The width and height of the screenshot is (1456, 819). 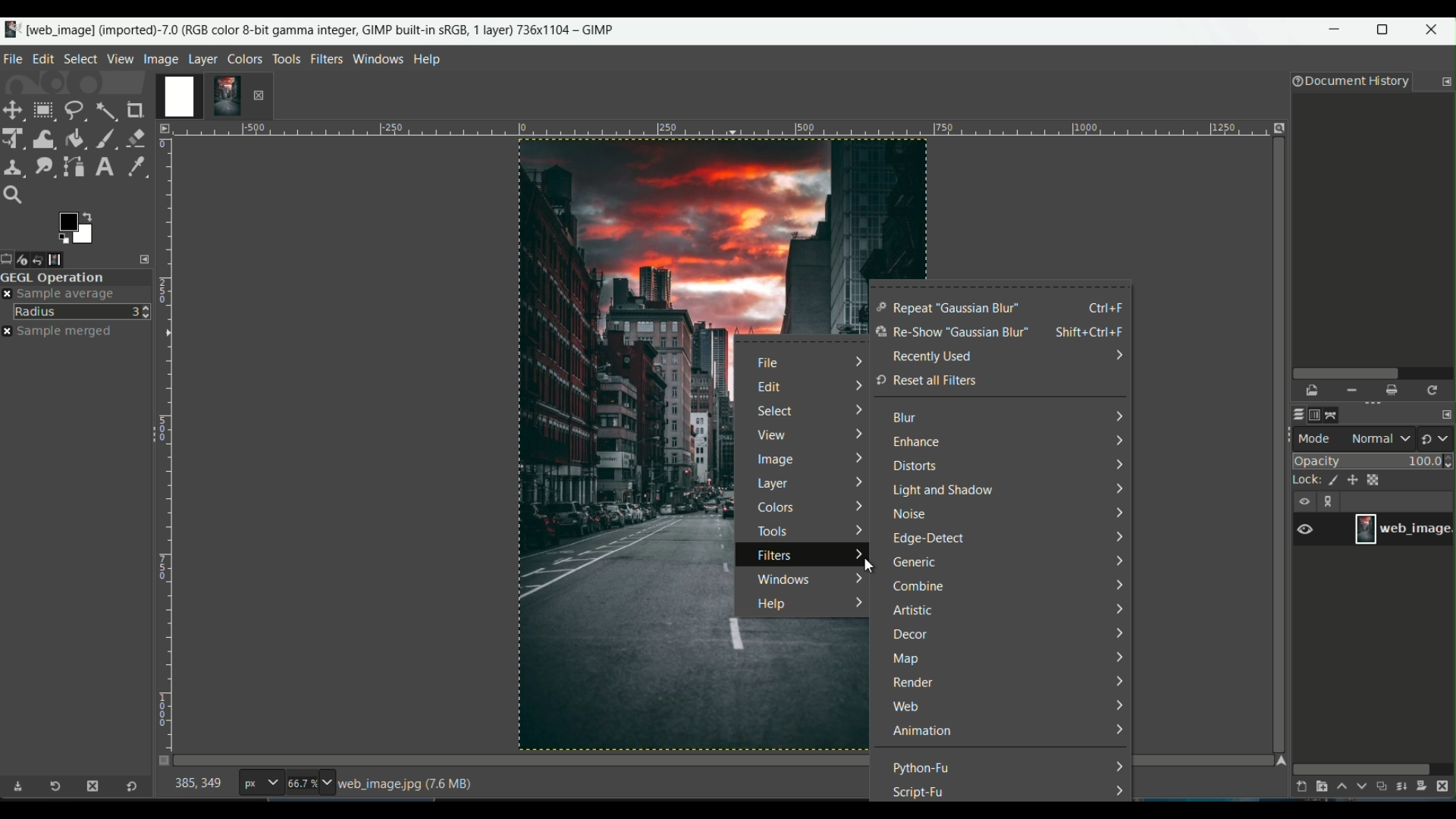 What do you see at coordinates (920, 587) in the screenshot?
I see `combine` at bounding box center [920, 587].